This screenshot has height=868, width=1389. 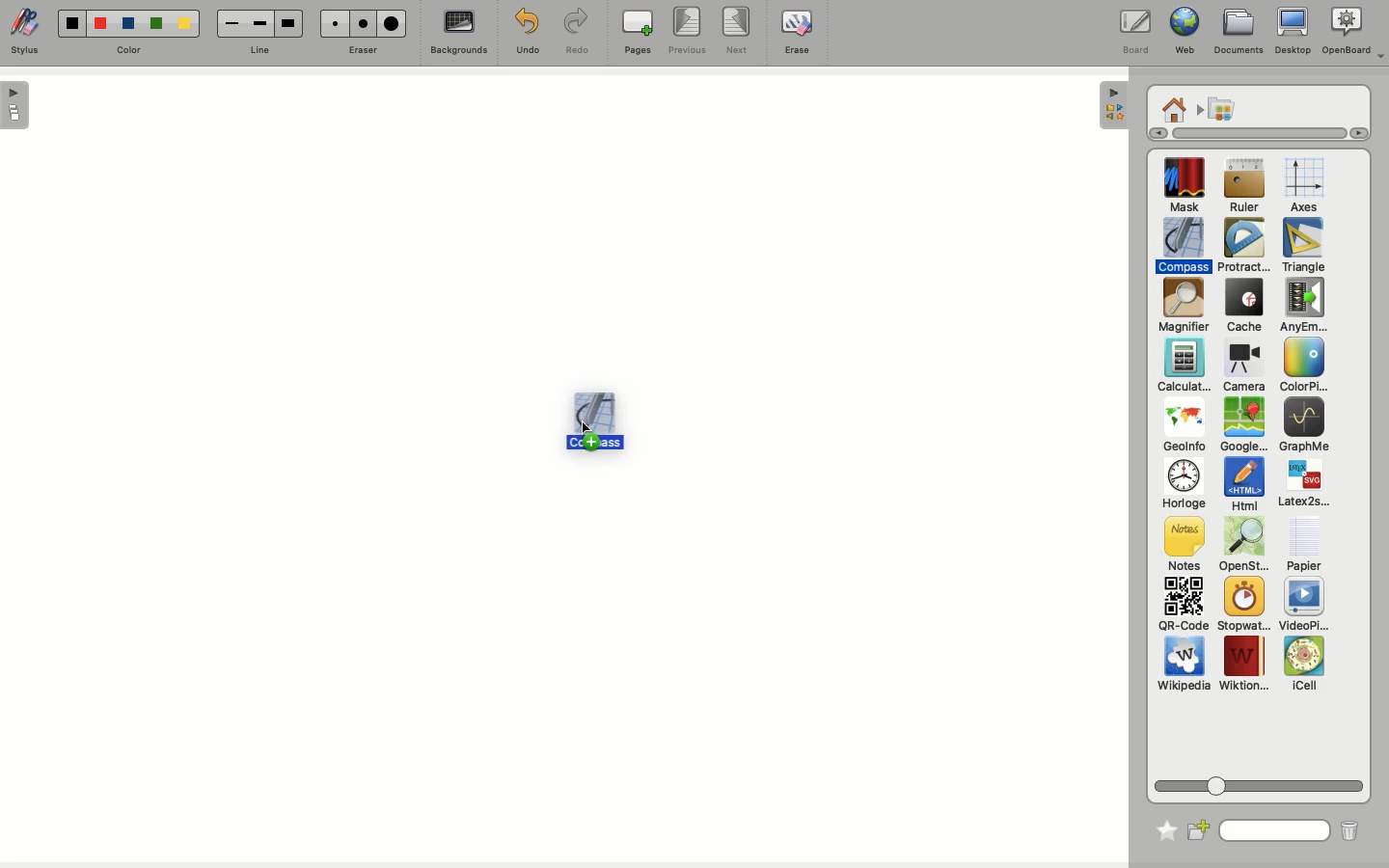 I want to click on Backgrounds, so click(x=456, y=35).